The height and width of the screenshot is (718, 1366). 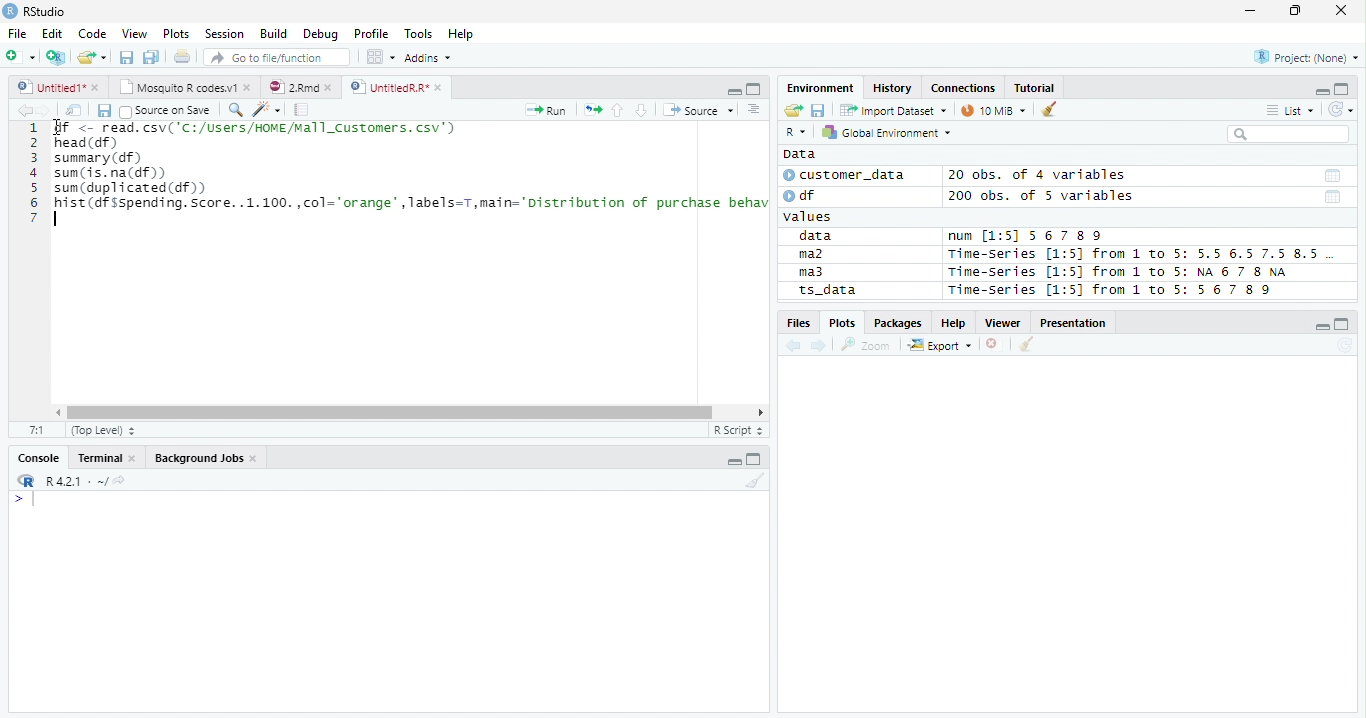 I want to click on num [1:5] 567 89, so click(x=1026, y=236).